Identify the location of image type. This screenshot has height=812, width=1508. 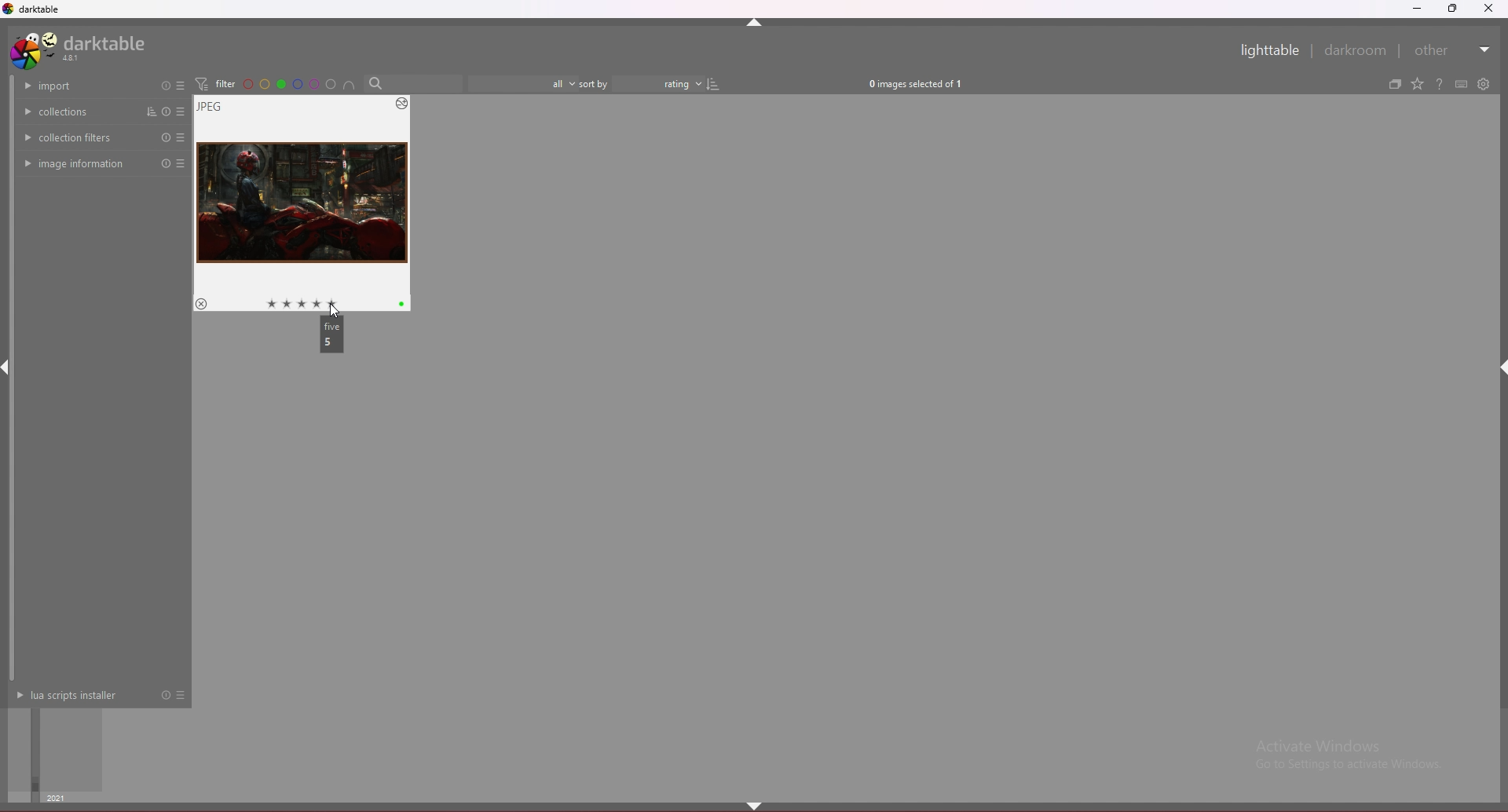
(210, 106).